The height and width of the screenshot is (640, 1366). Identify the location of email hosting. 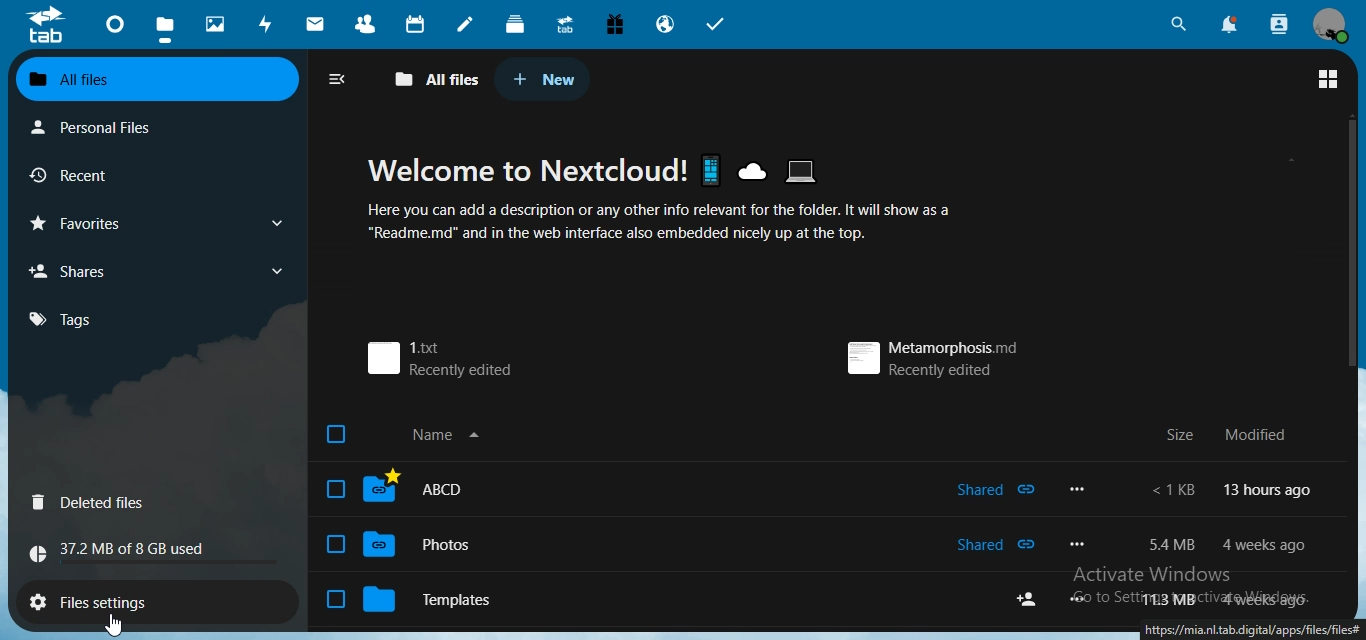
(668, 23).